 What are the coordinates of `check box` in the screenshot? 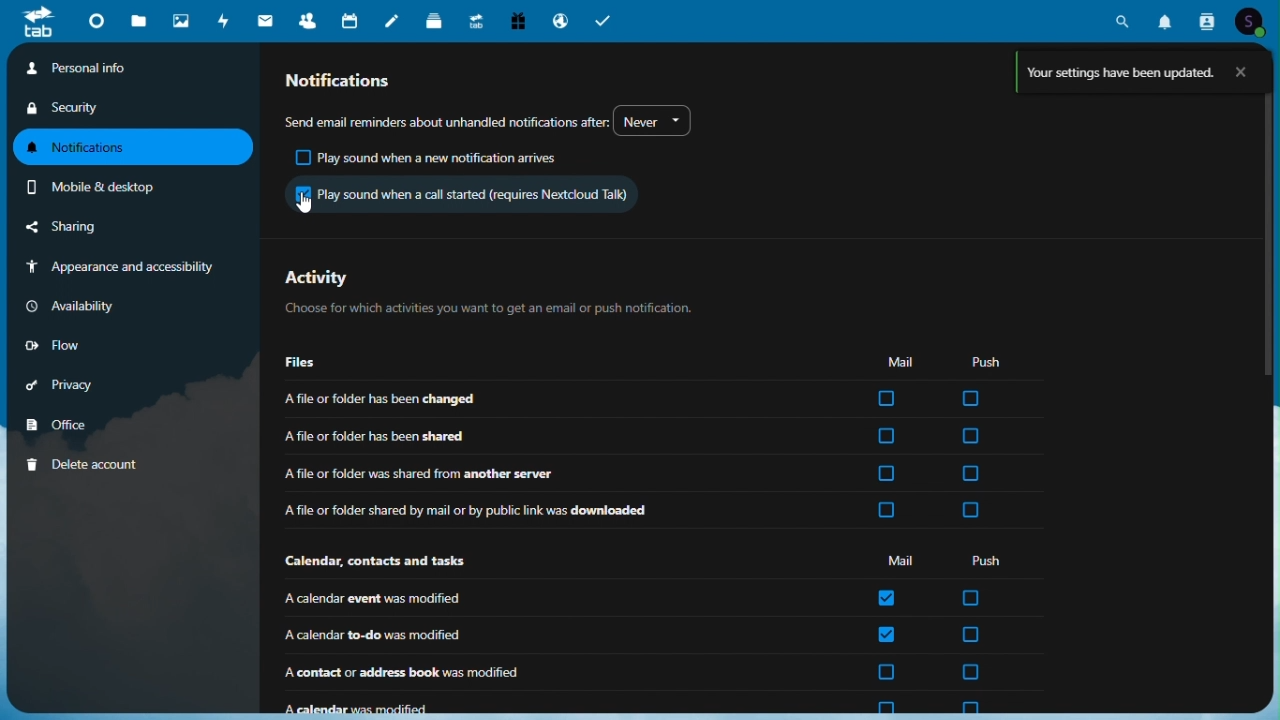 It's located at (884, 511).